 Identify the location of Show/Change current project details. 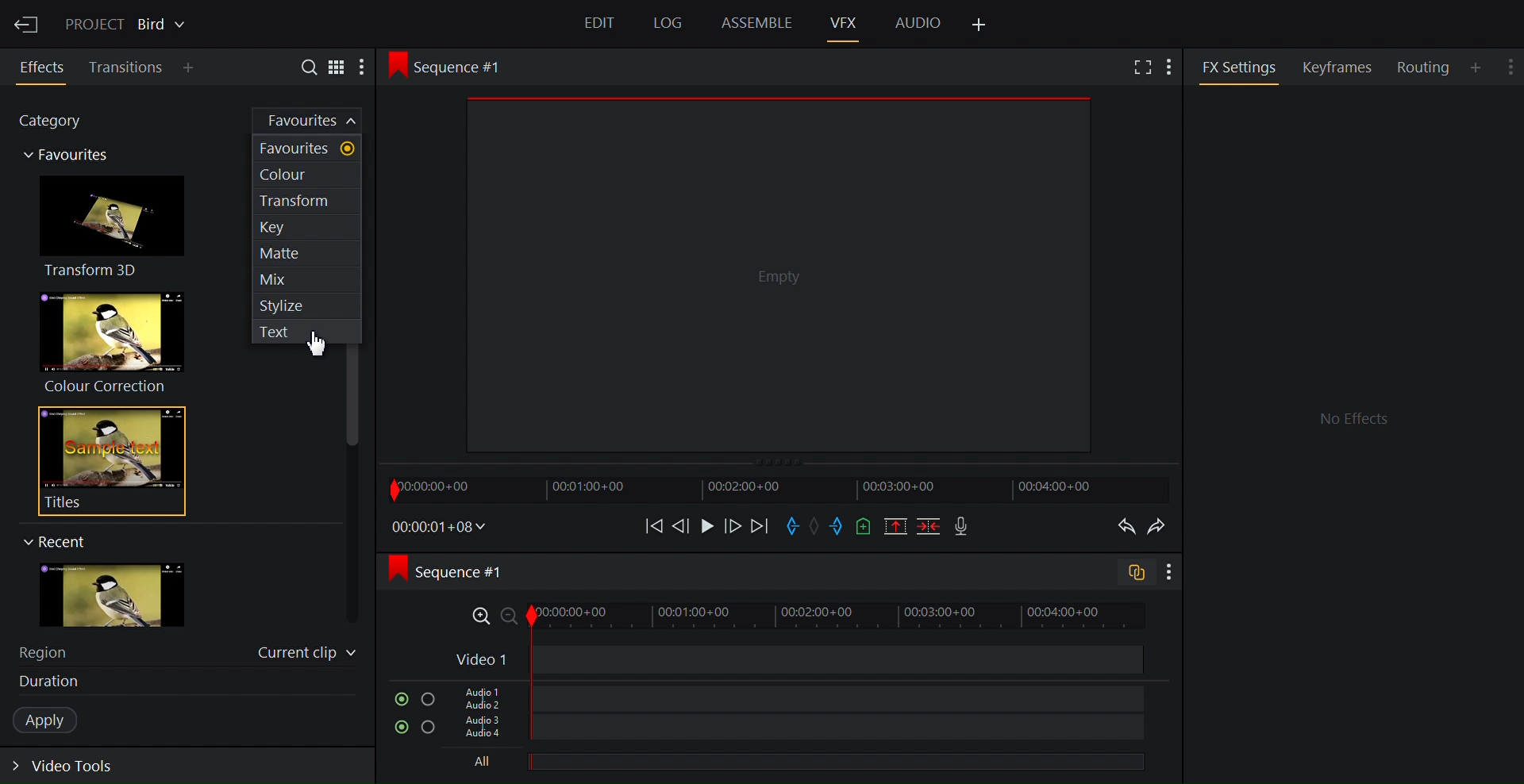
(128, 22).